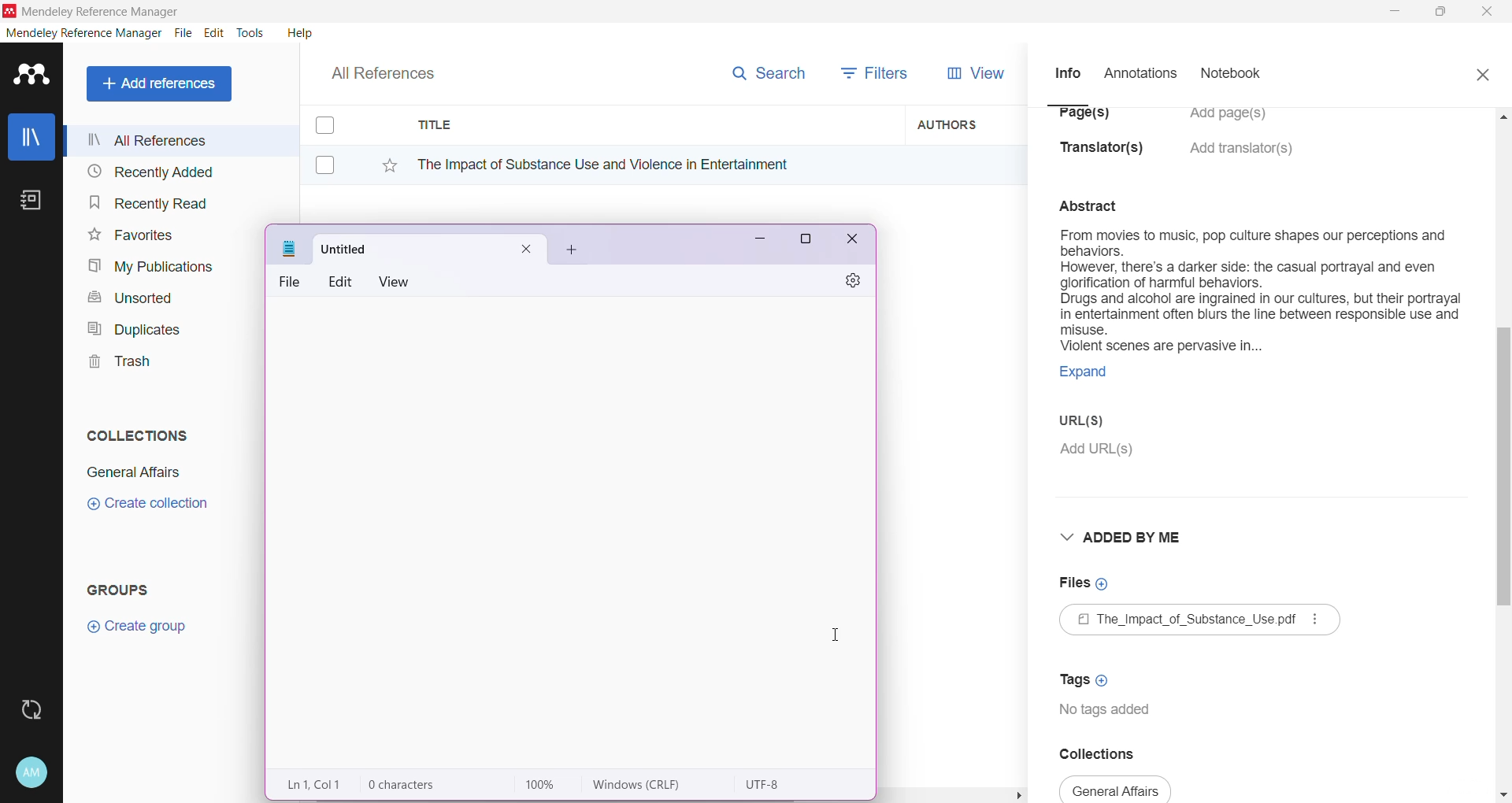  What do you see at coordinates (1082, 119) in the screenshot?
I see `Page(s)` at bounding box center [1082, 119].